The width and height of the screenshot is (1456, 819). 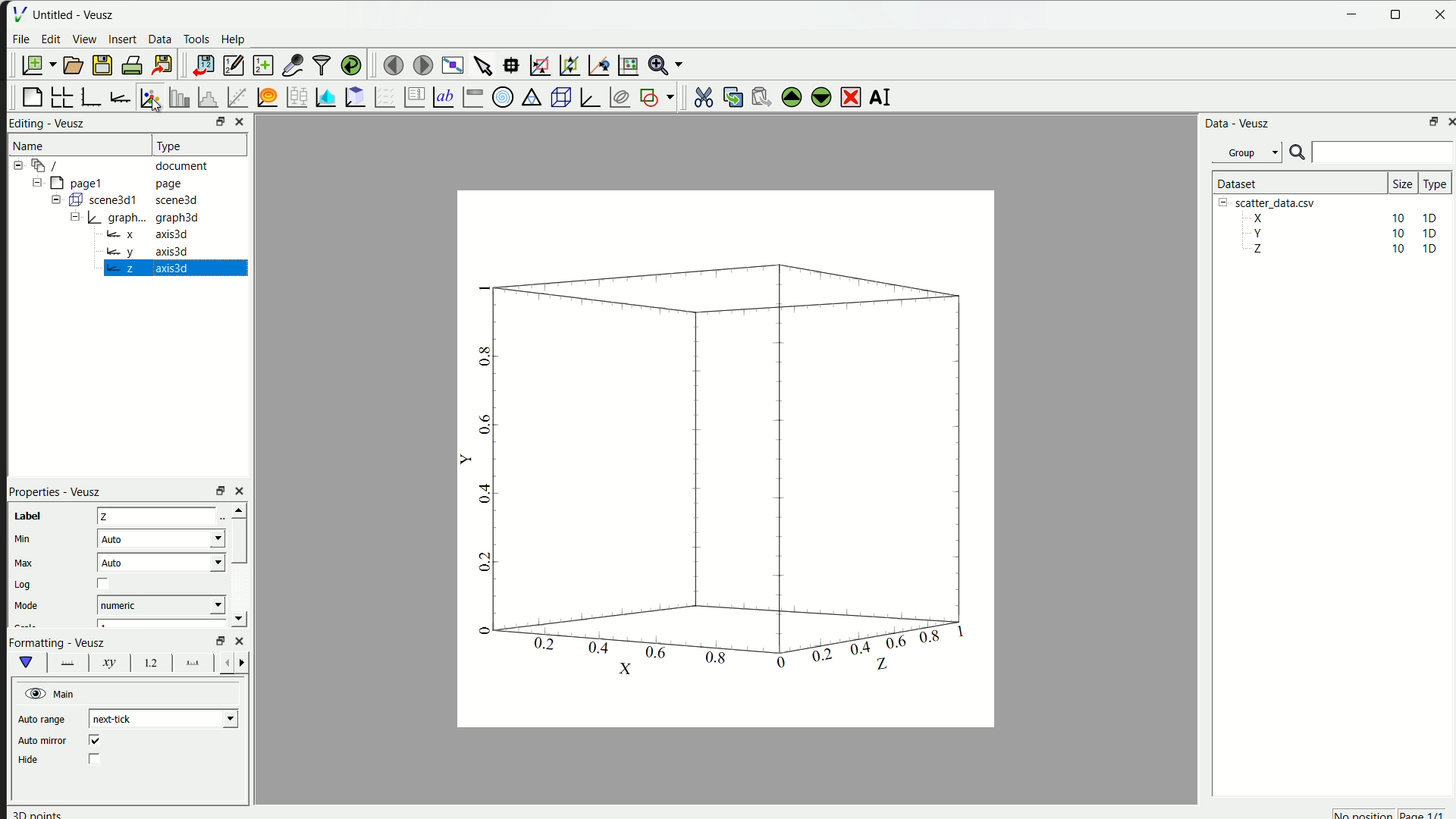 What do you see at coordinates (22, 40) in the screenshot?
I see `File` at bounding box center [22, 40].